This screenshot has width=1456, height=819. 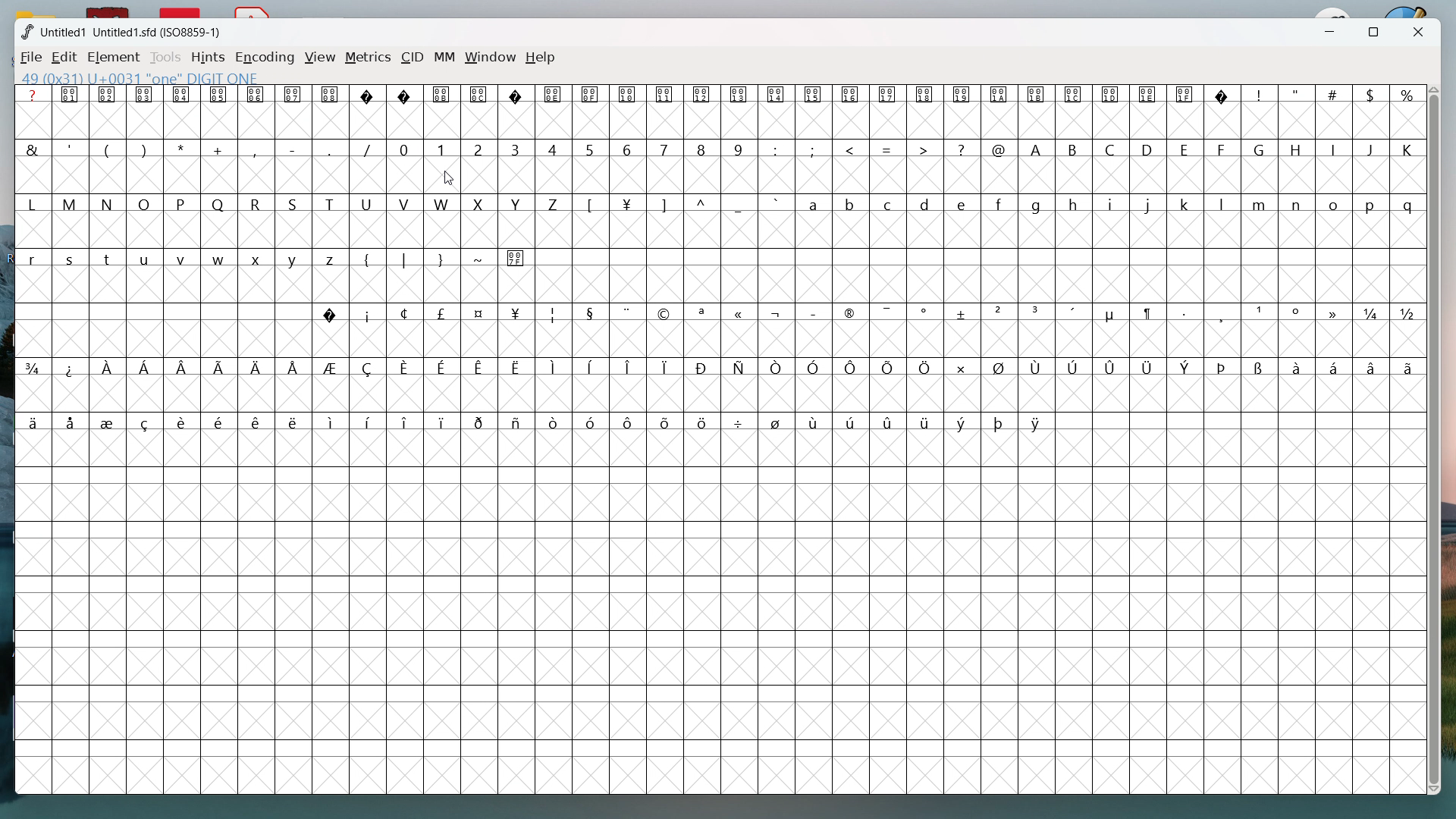 What do you see at coordinates (627, 313) in the screenshot?
I see `symbol` at bounding box center [627, 313].